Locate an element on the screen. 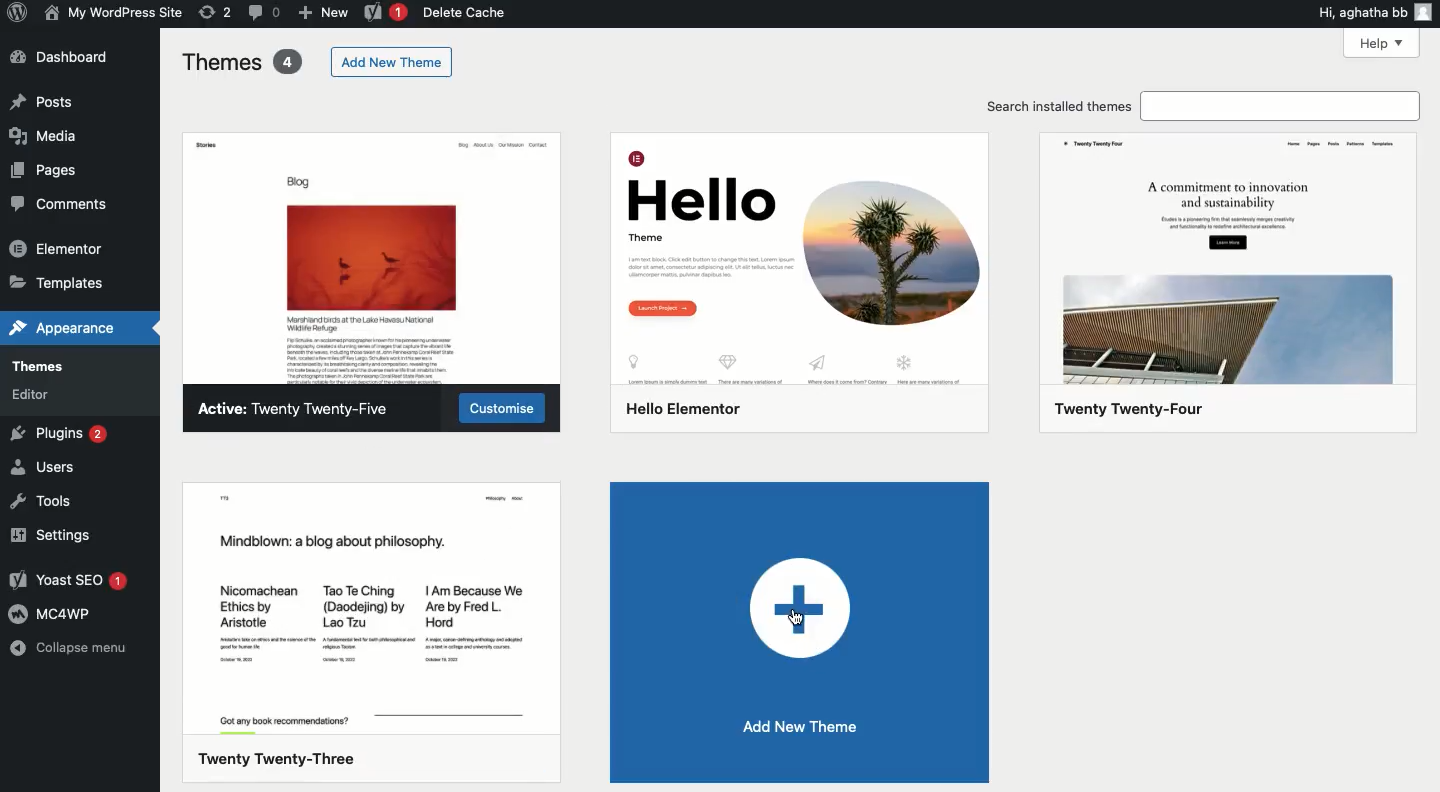 The height and width of the screenshot is (792, 1440). Collapse menu is located at coordinates (71, 648).